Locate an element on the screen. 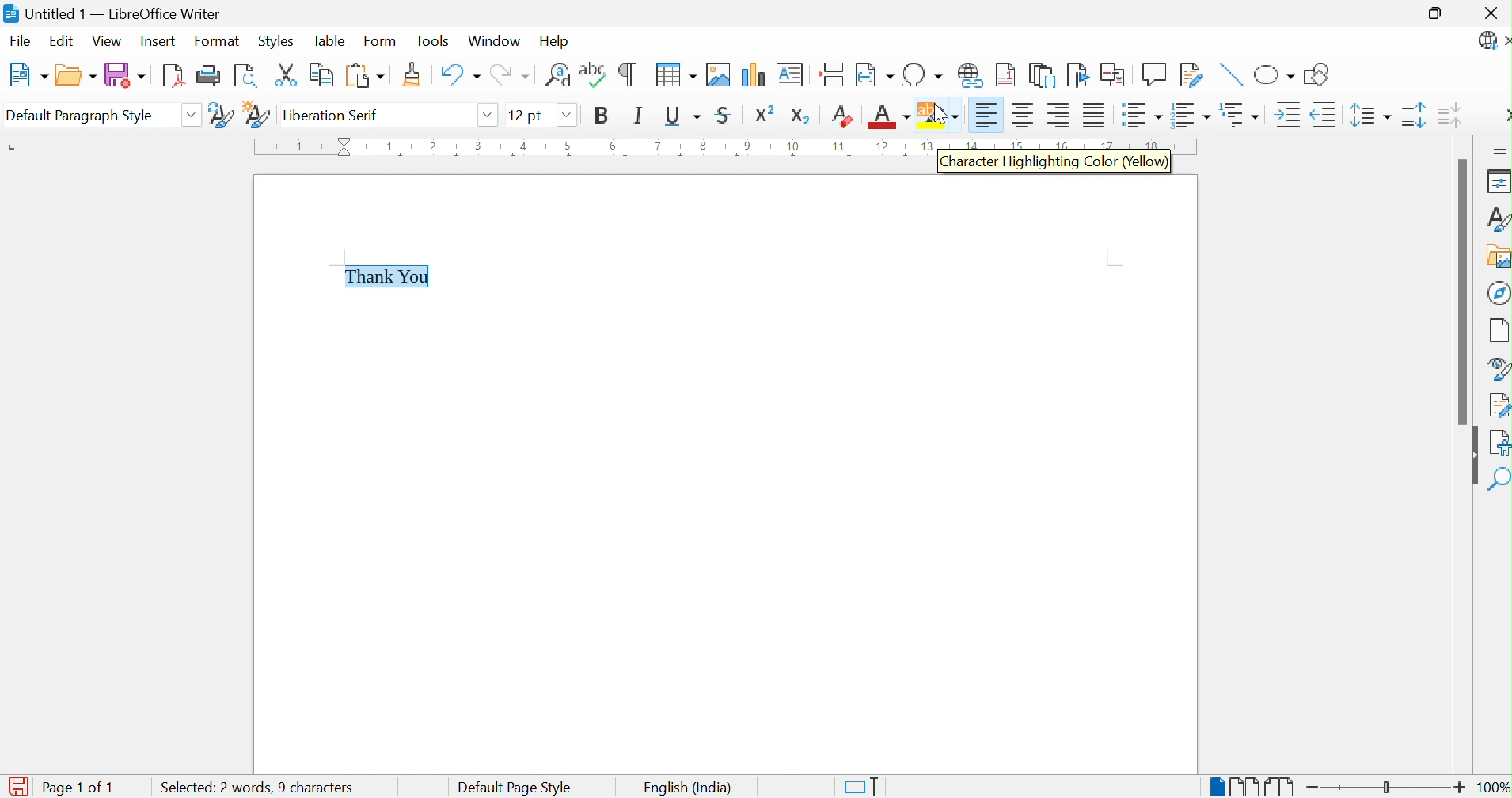 The width and height of the screenshot is (1512, 798). Style Navigator is located at coordinates (1495, 368).